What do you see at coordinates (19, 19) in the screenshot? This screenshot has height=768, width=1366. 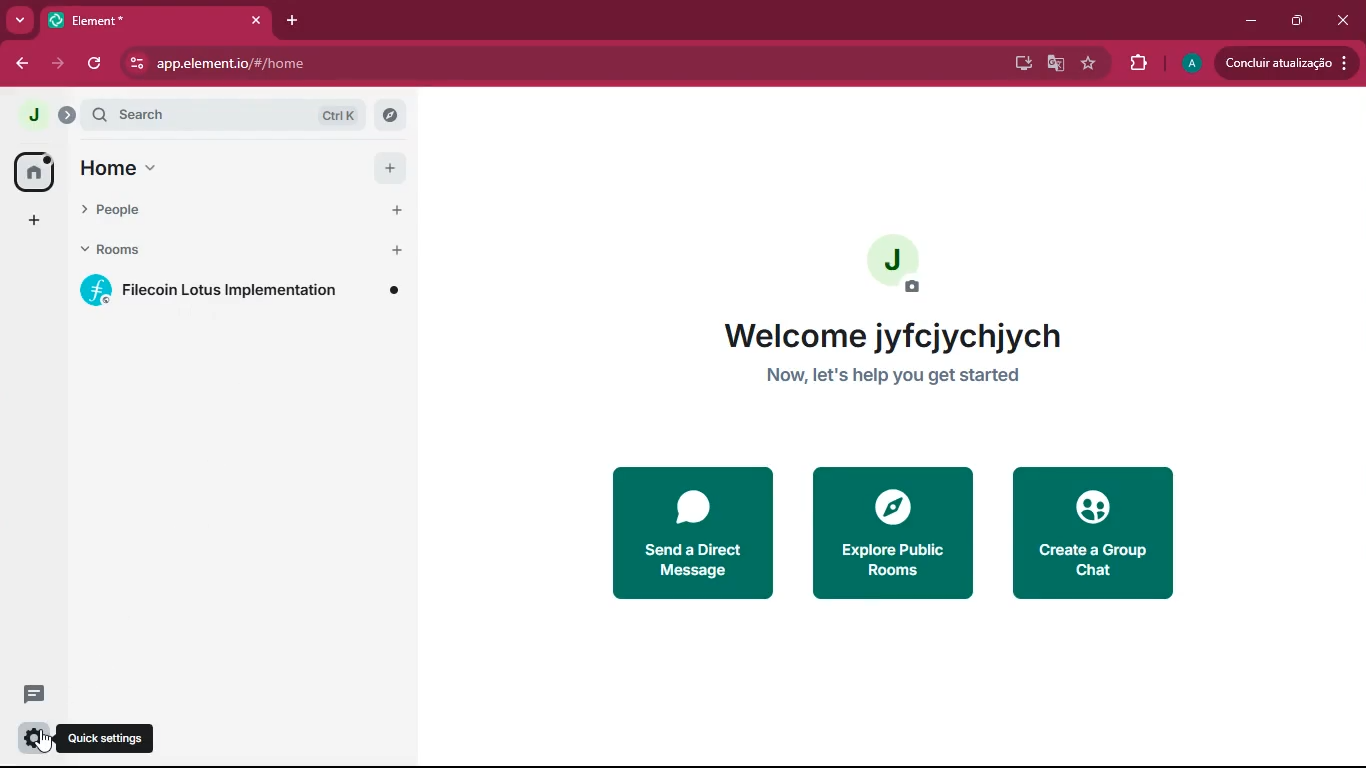 I see `more` at bounding box center [19, 19].